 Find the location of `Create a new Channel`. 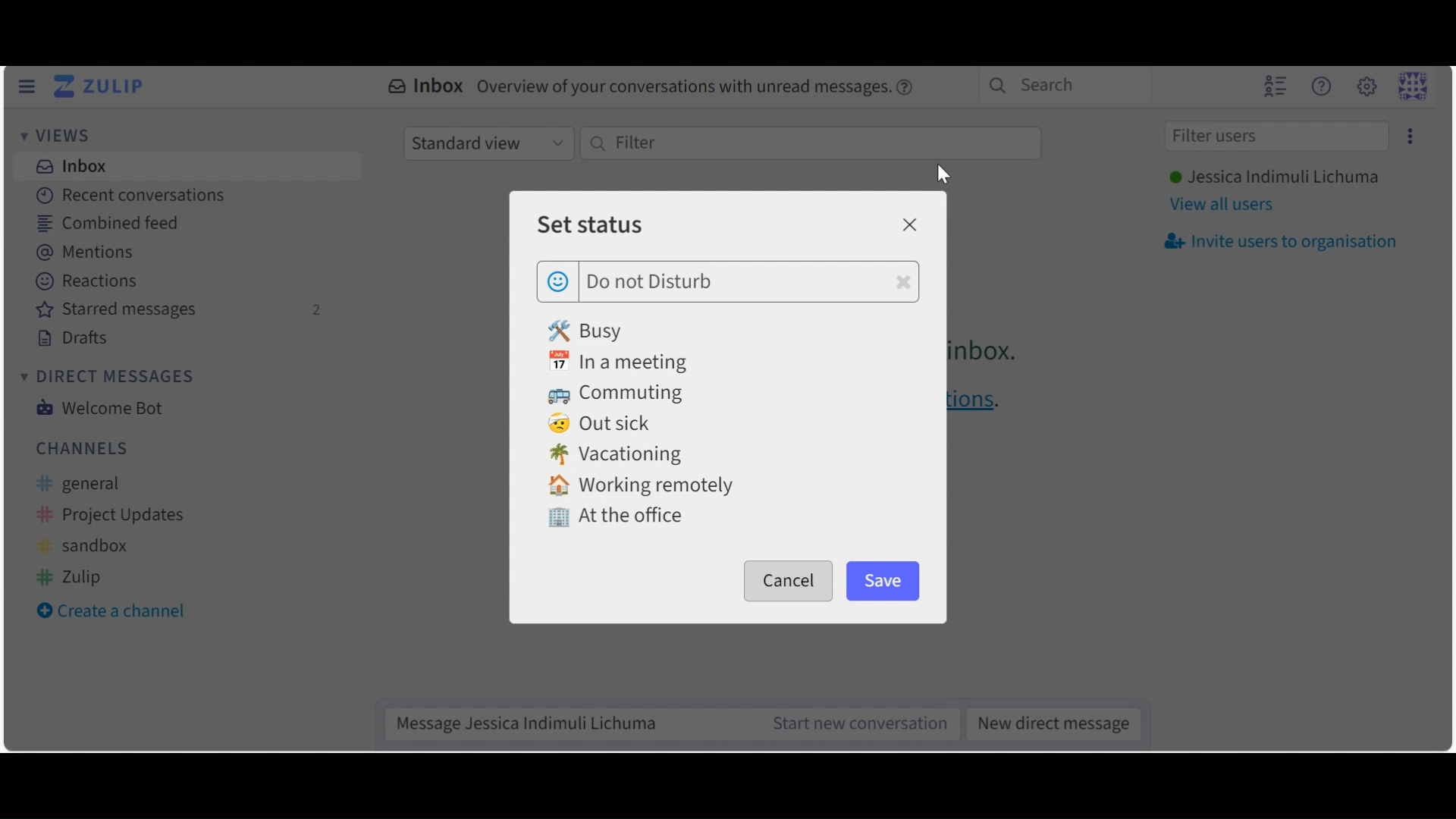

Create a new Channel is located at coordinates (118, 613).